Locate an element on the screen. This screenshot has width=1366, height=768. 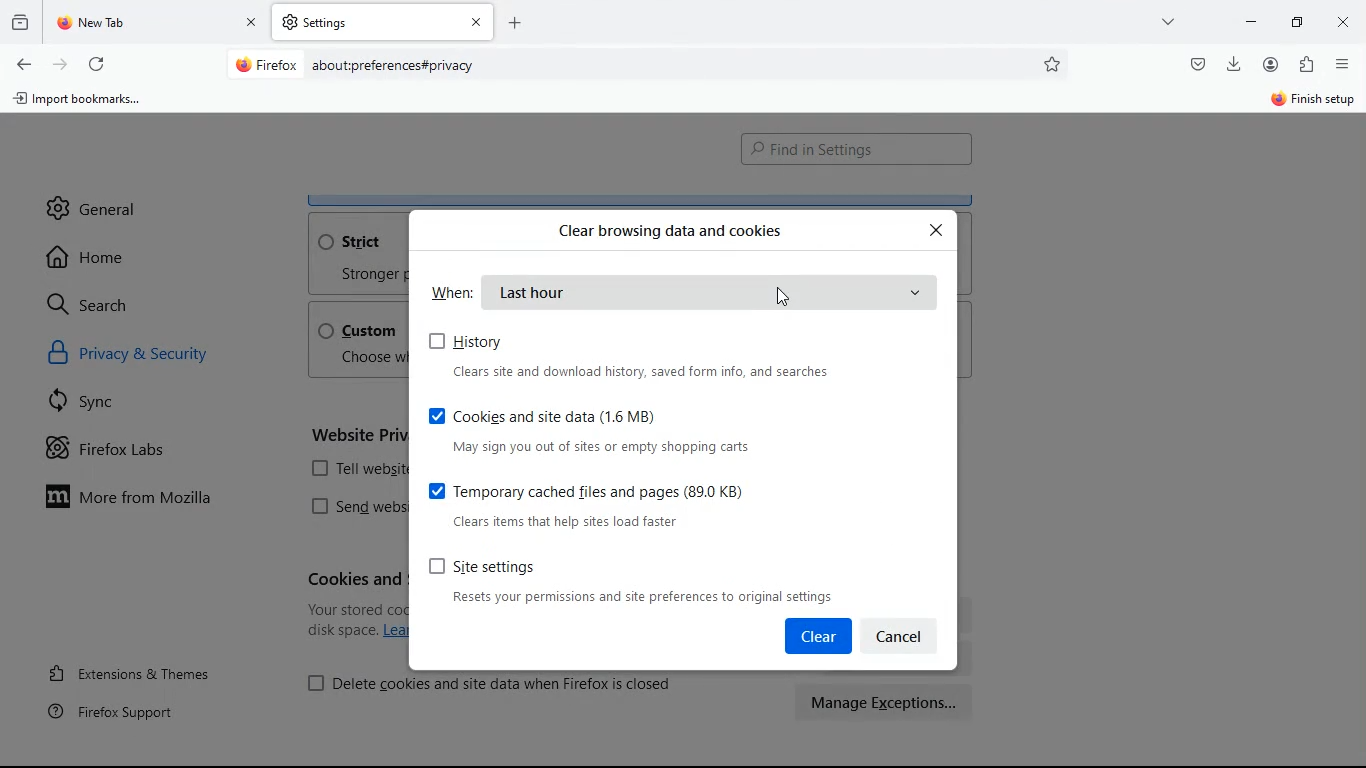
Search bar is located at coordinates (644, 66).